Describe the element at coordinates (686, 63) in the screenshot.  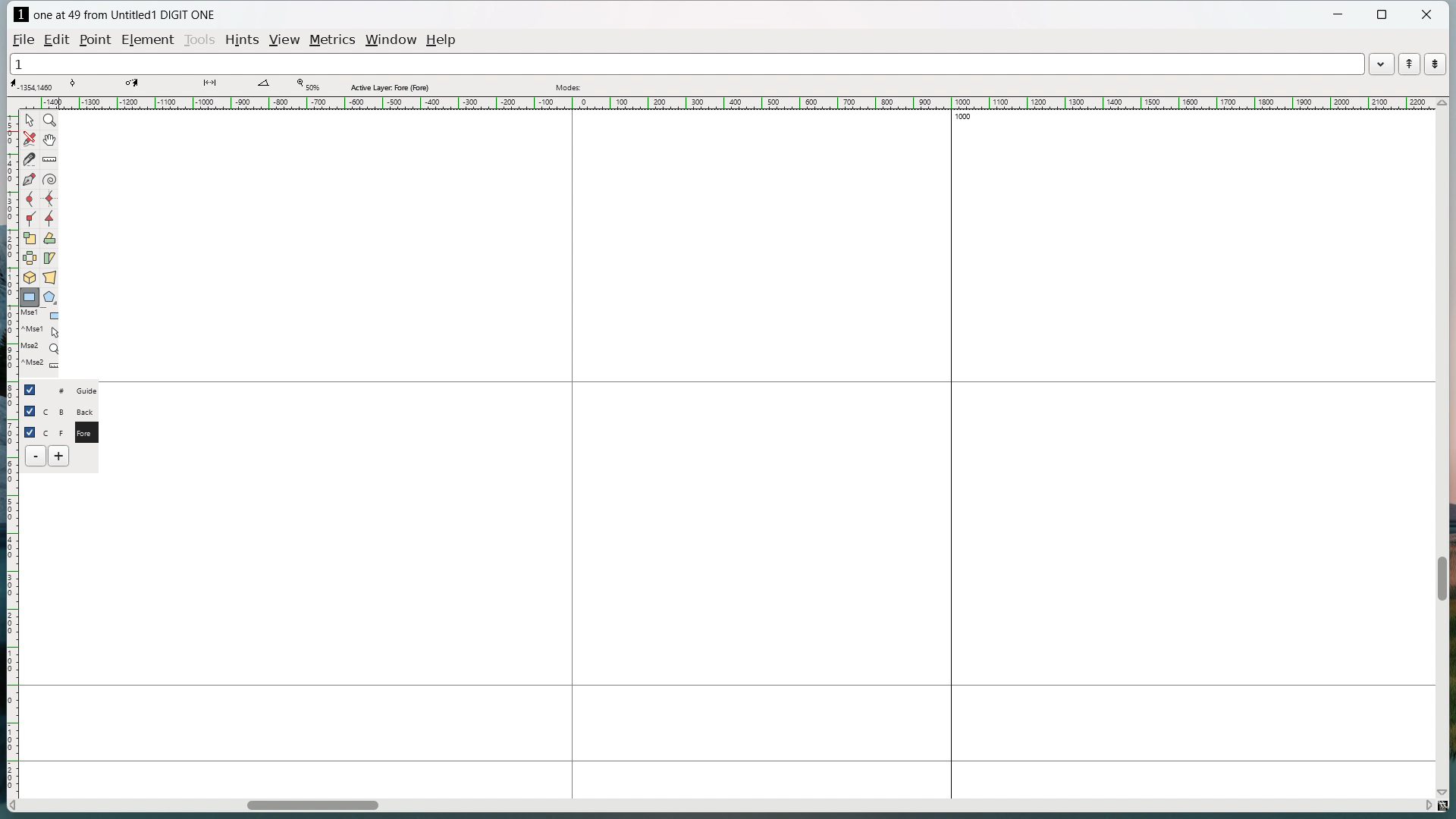
I see `1` at that location.